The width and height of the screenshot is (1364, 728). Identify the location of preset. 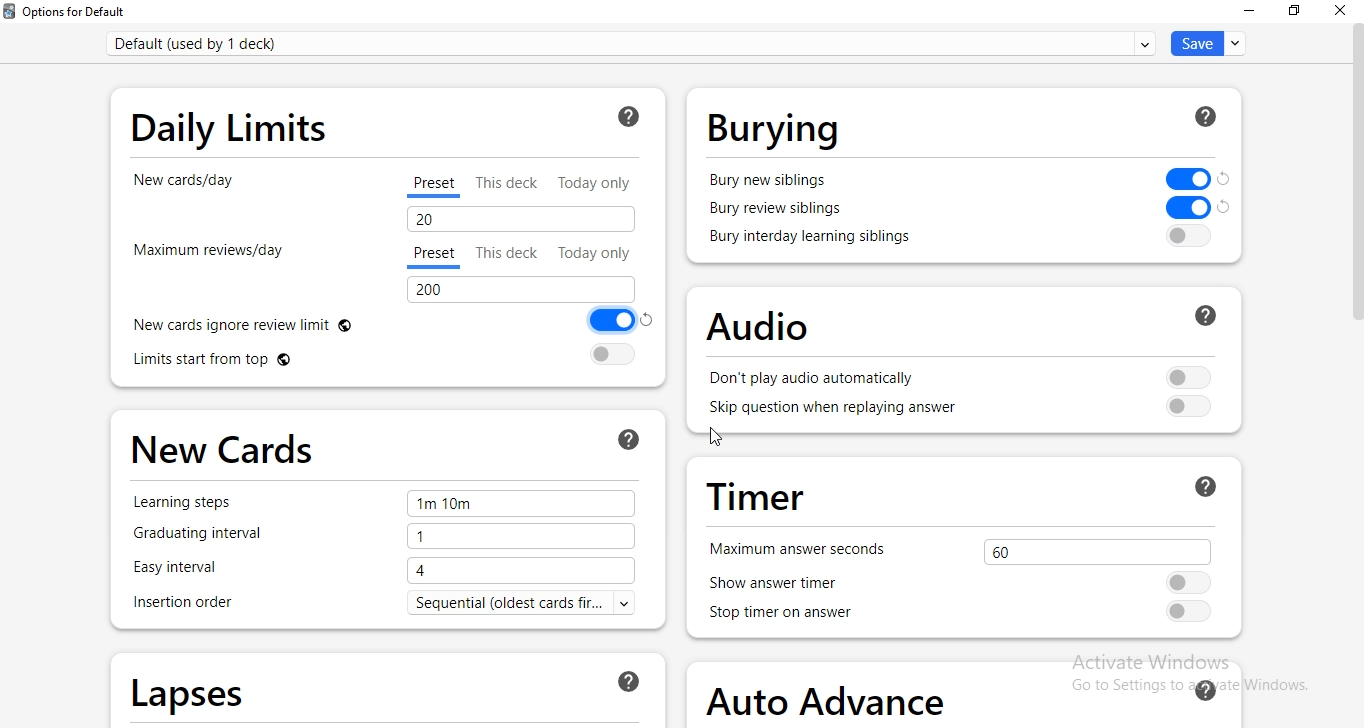
(437, 187).